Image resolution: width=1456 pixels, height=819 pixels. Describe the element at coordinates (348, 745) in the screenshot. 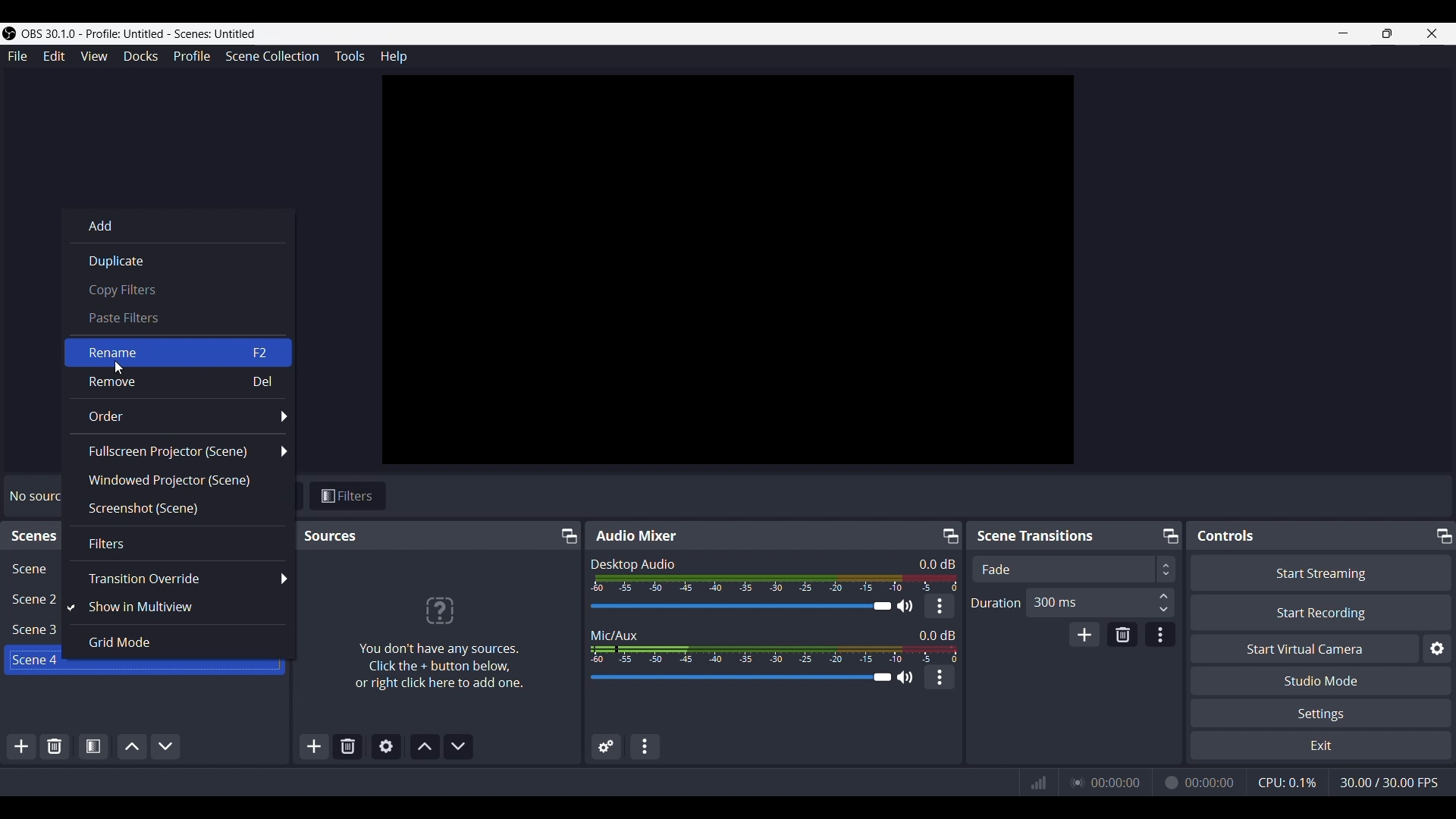

I see `Remove selected scene(s)` at that location.